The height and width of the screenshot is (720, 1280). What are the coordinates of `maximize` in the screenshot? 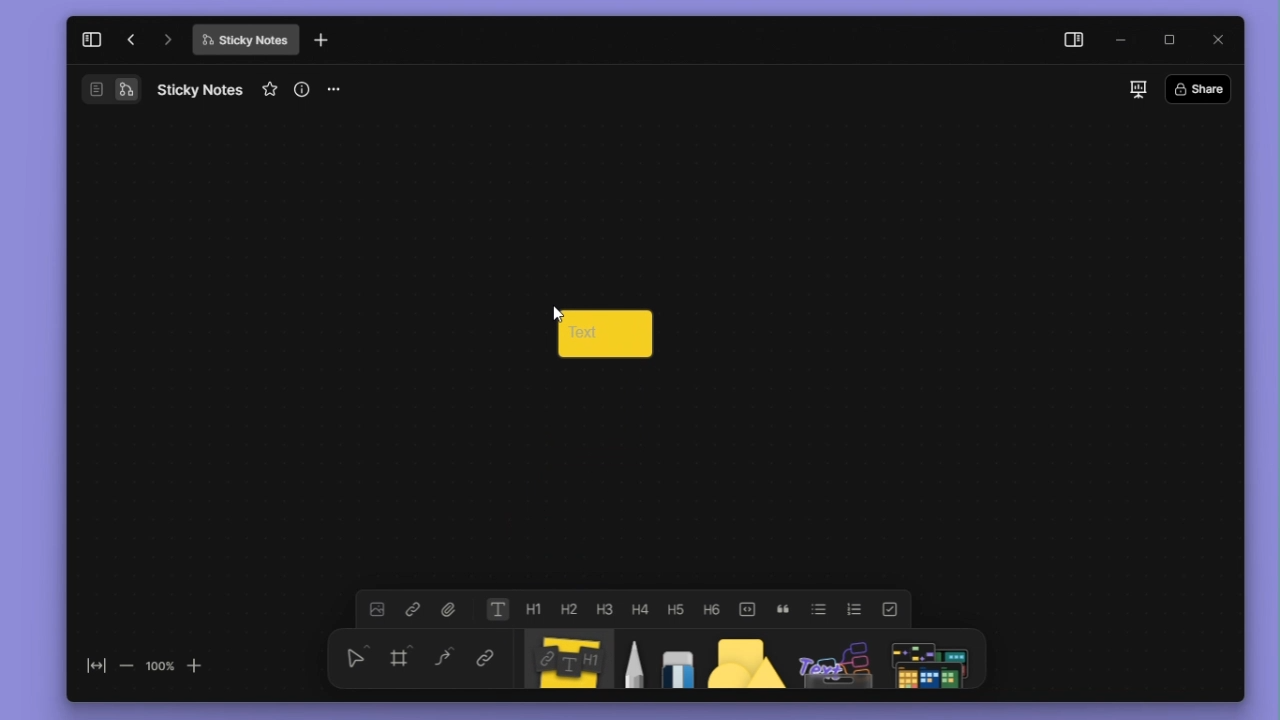 It's located at (1170, 40).